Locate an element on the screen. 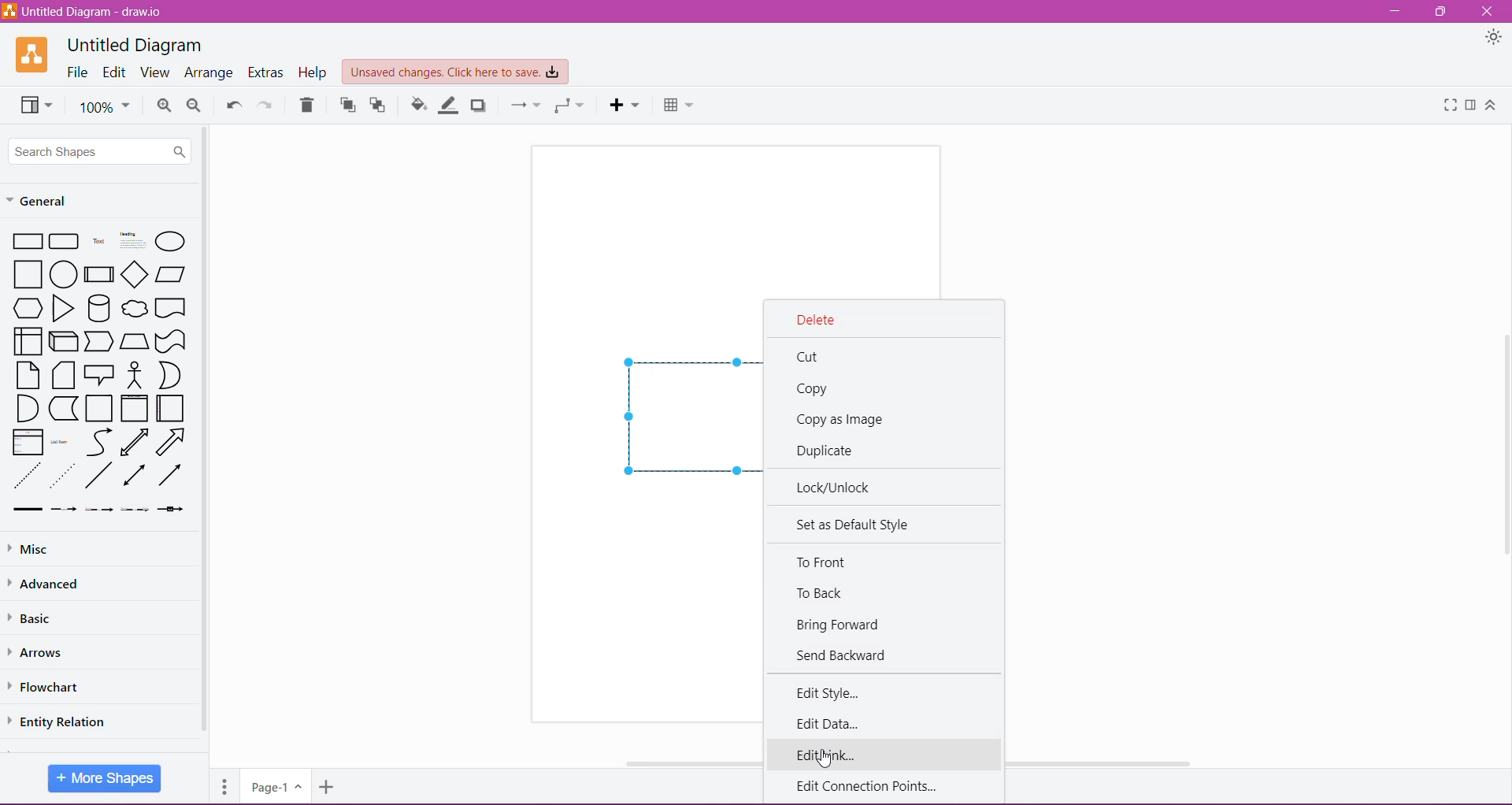 The width and height of the screenshot is (1512, 805). Zoom is located at coordinates (104, 106).